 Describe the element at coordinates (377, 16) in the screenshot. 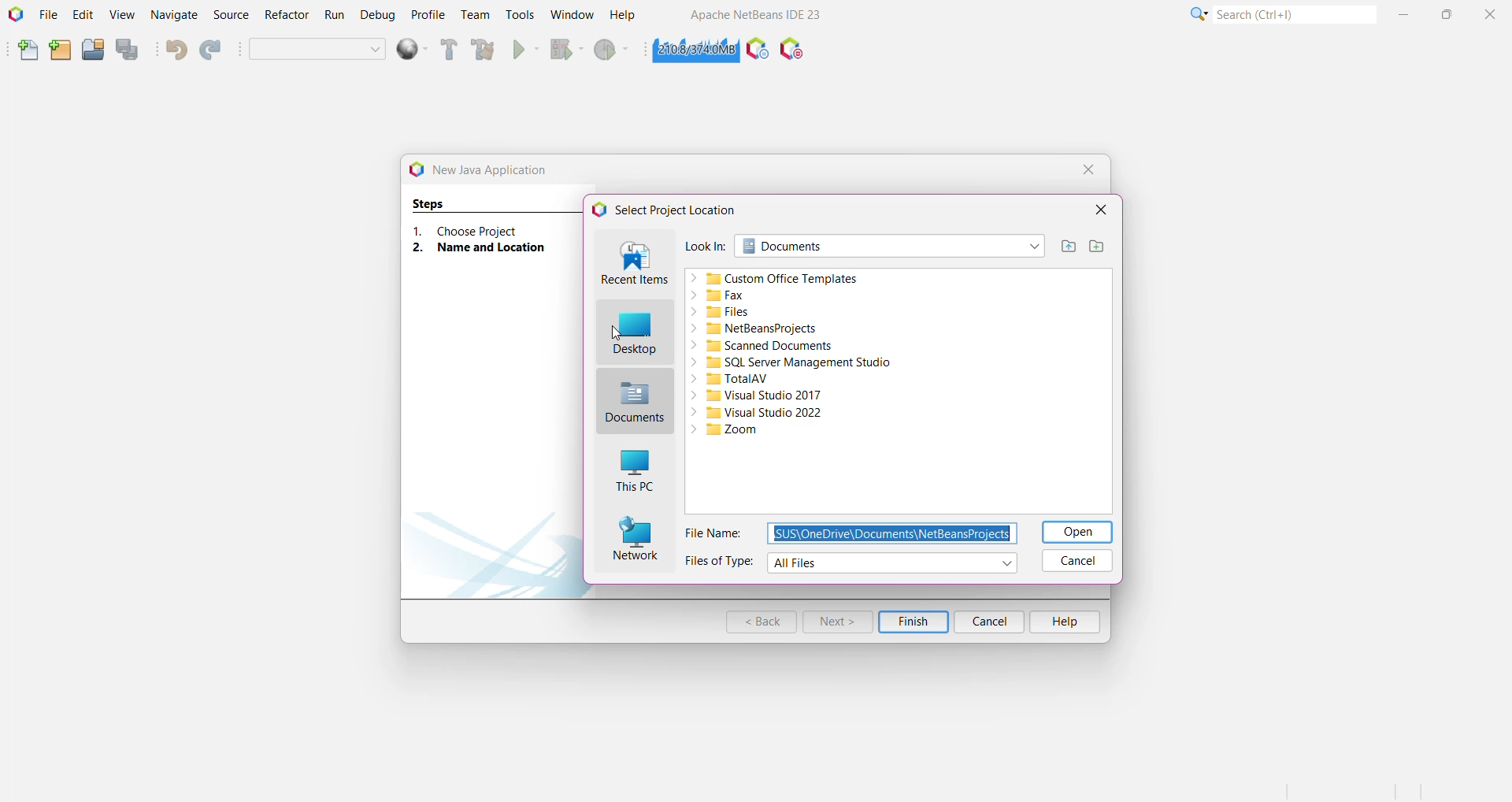

I see `Debug` at that location.